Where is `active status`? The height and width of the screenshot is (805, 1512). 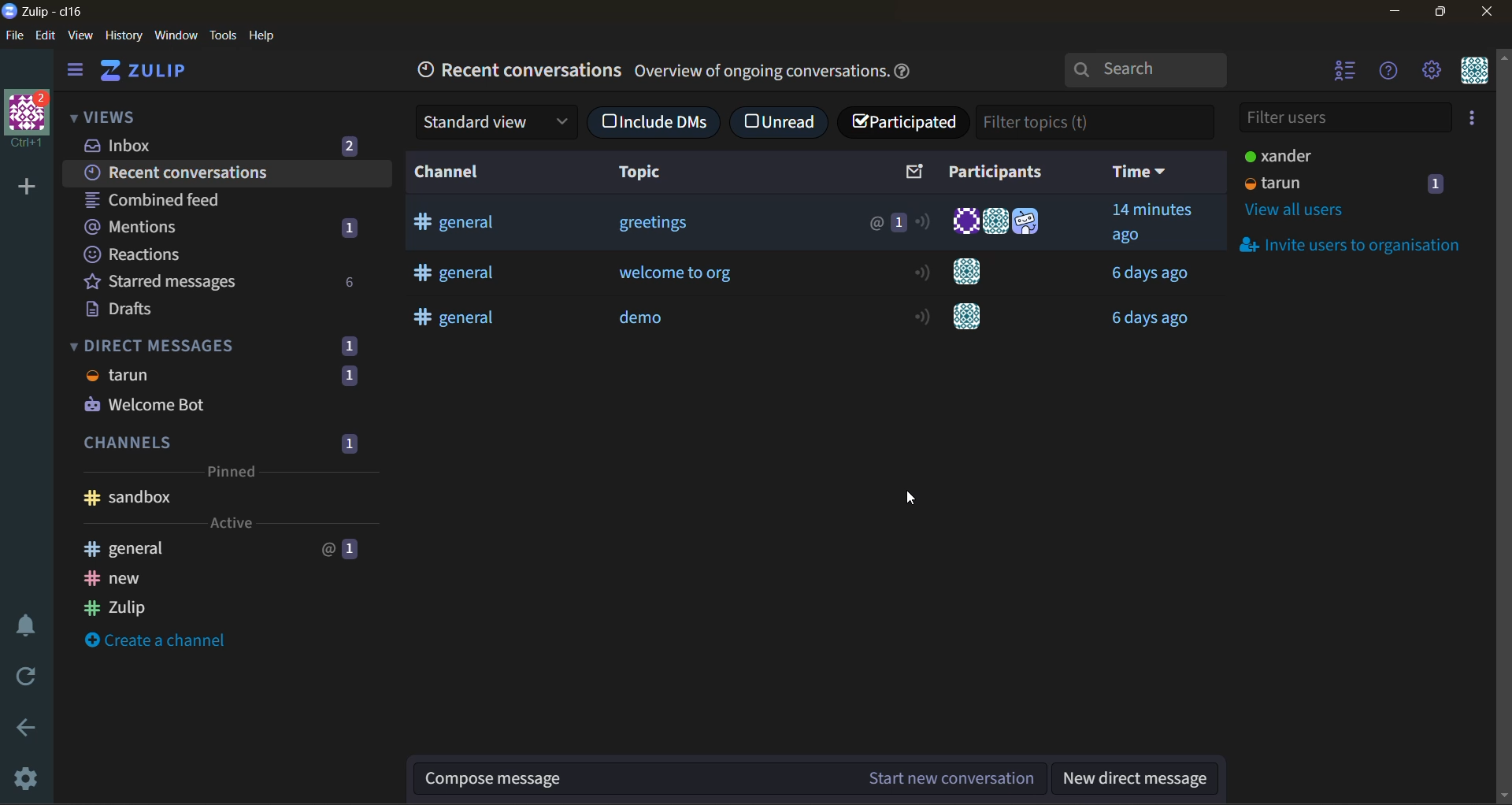 active status is located at coordinates (925, 221).